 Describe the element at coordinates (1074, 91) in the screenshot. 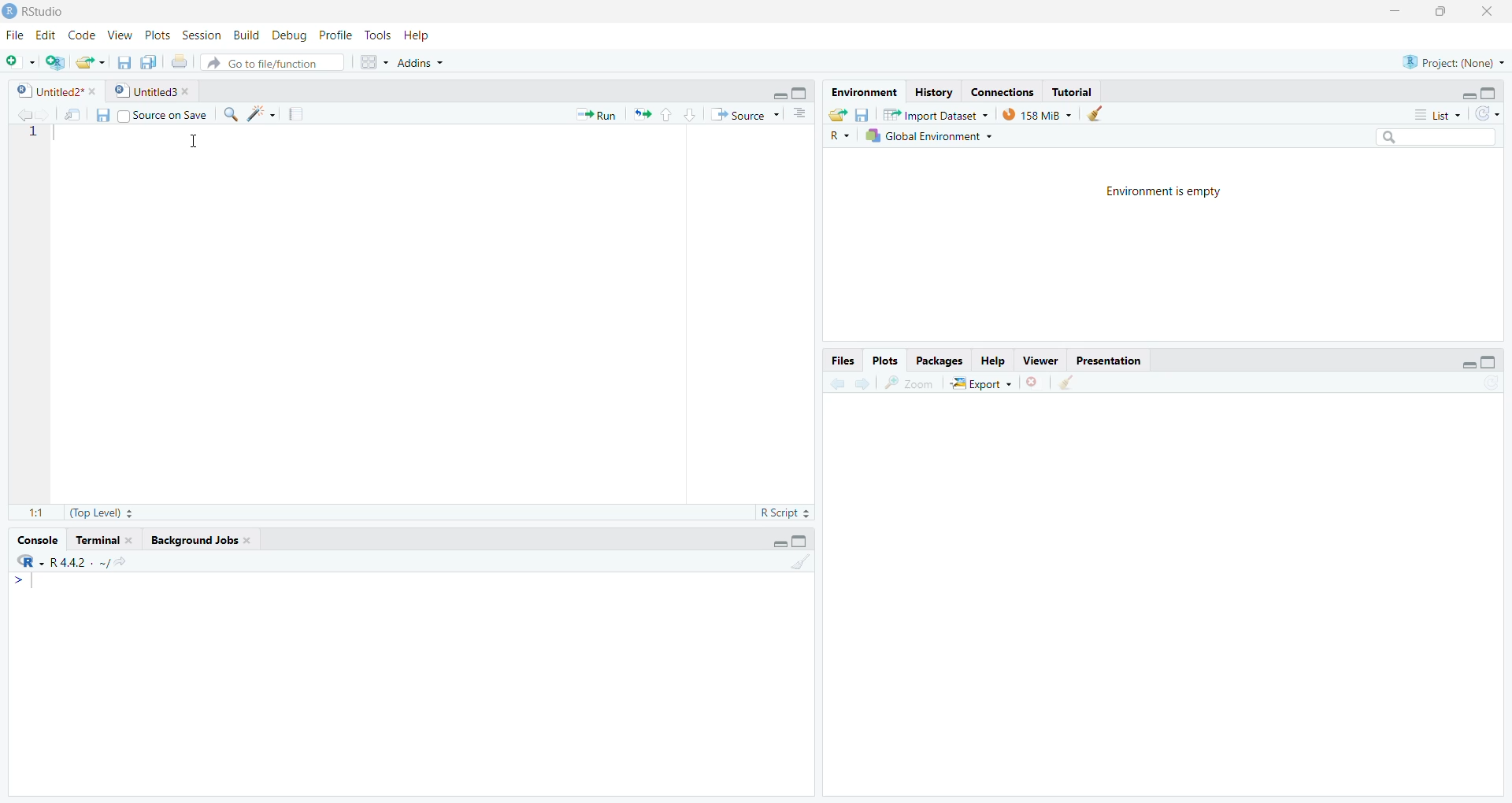

I see `Tutorial` at that location.